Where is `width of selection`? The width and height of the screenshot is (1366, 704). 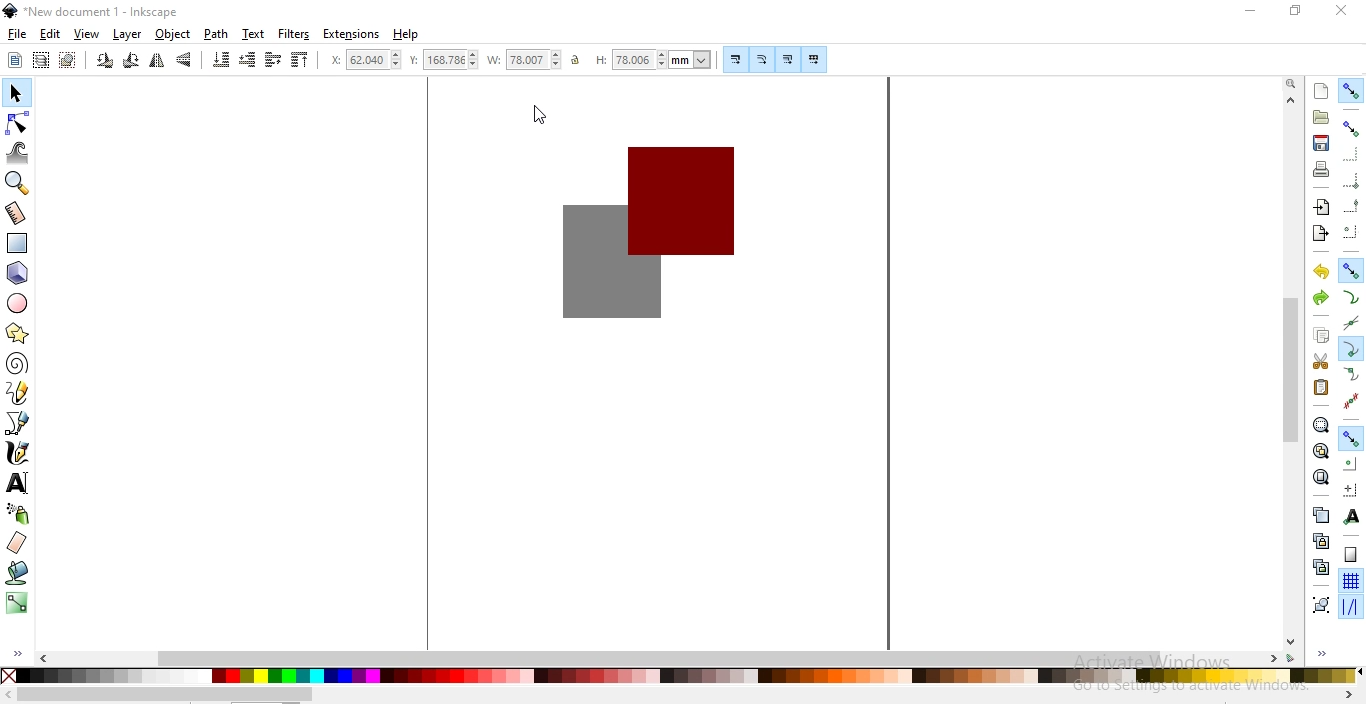
width of selection is located at coordinates (526, 60).